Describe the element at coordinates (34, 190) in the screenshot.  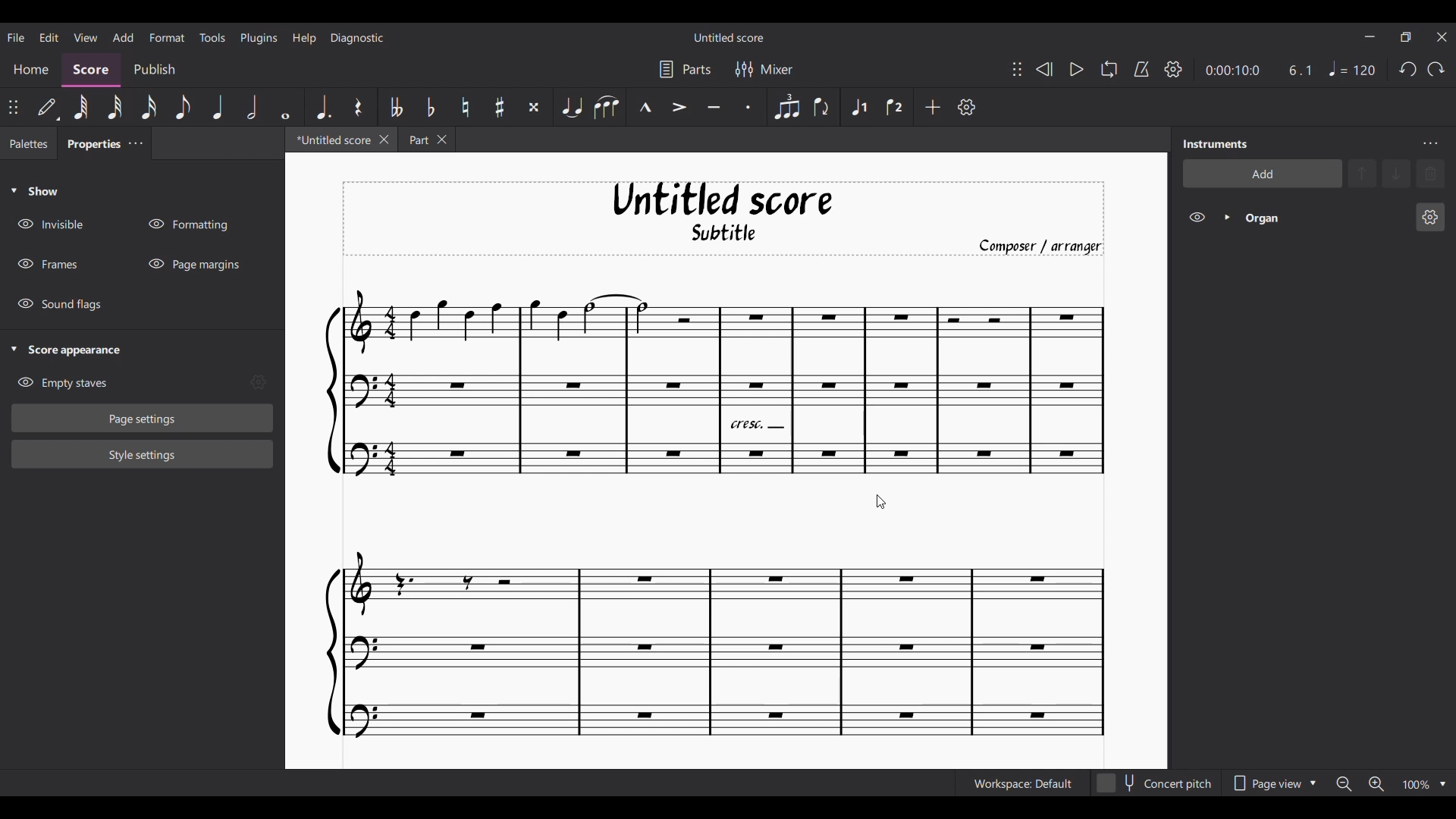
I see `Collapse Show` at that location.